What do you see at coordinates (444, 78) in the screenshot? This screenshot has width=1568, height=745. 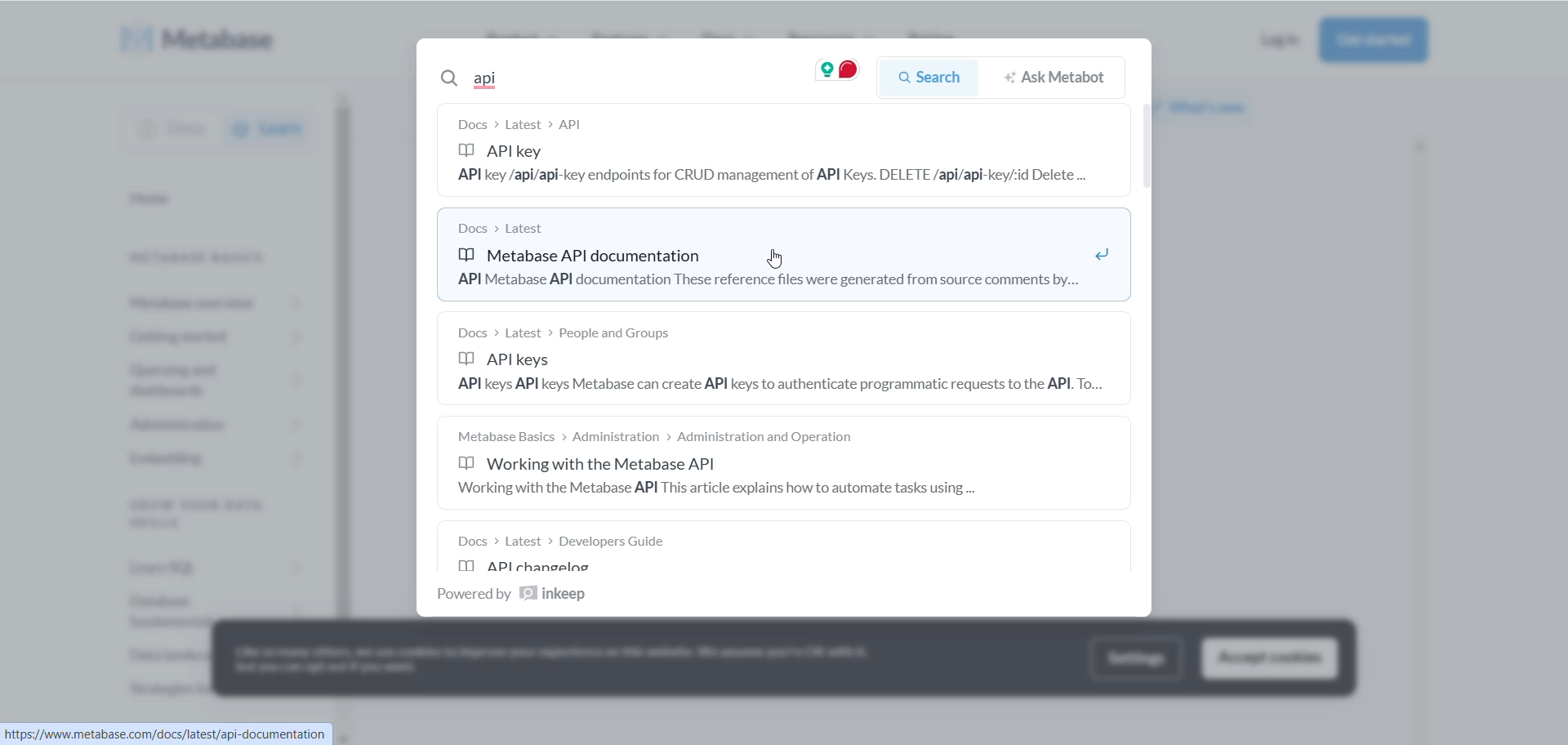 I see `logo` at bounding box center [444, 78].